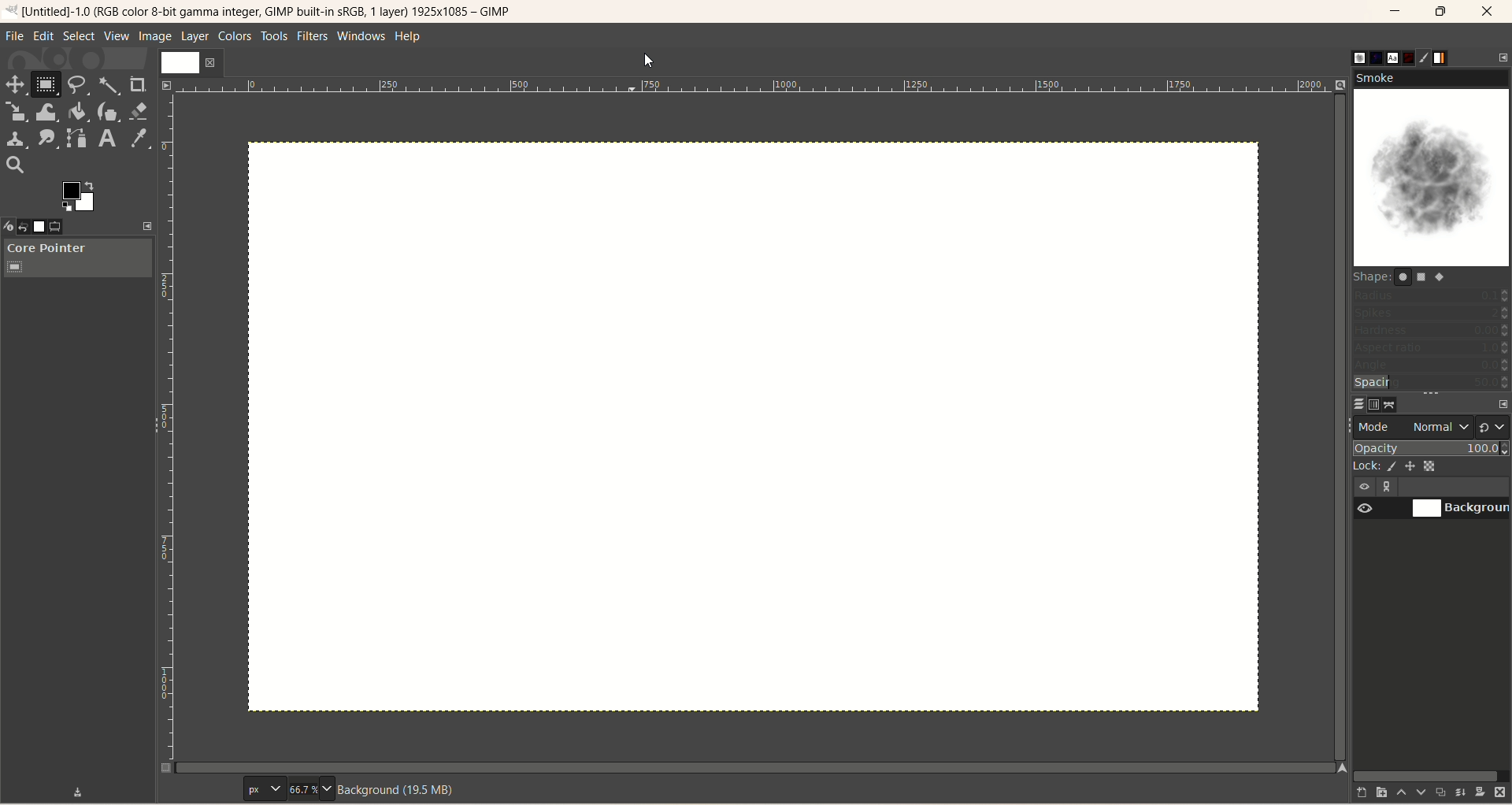  What do you see at coordinates (1499, 402) in the screenshot?
I see `configure this tab` at bounding box center [1499, 402].